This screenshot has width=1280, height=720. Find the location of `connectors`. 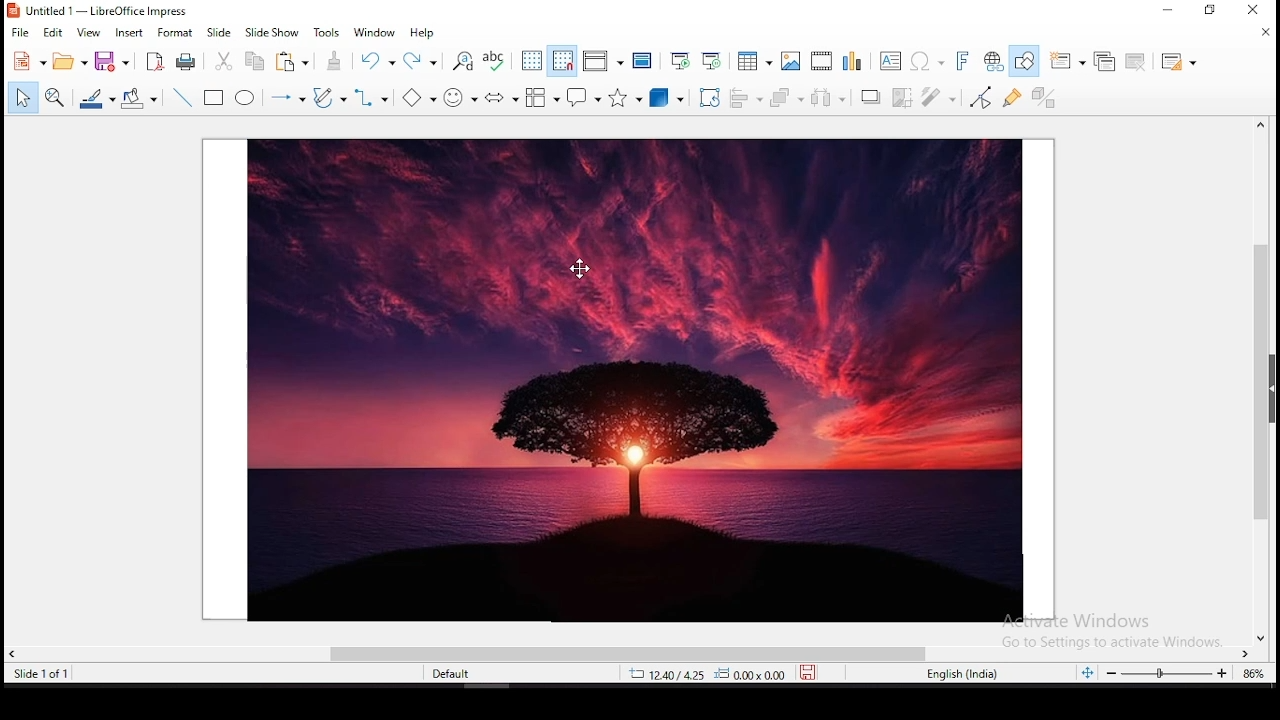

connectors is located at coordinates (372, 99).